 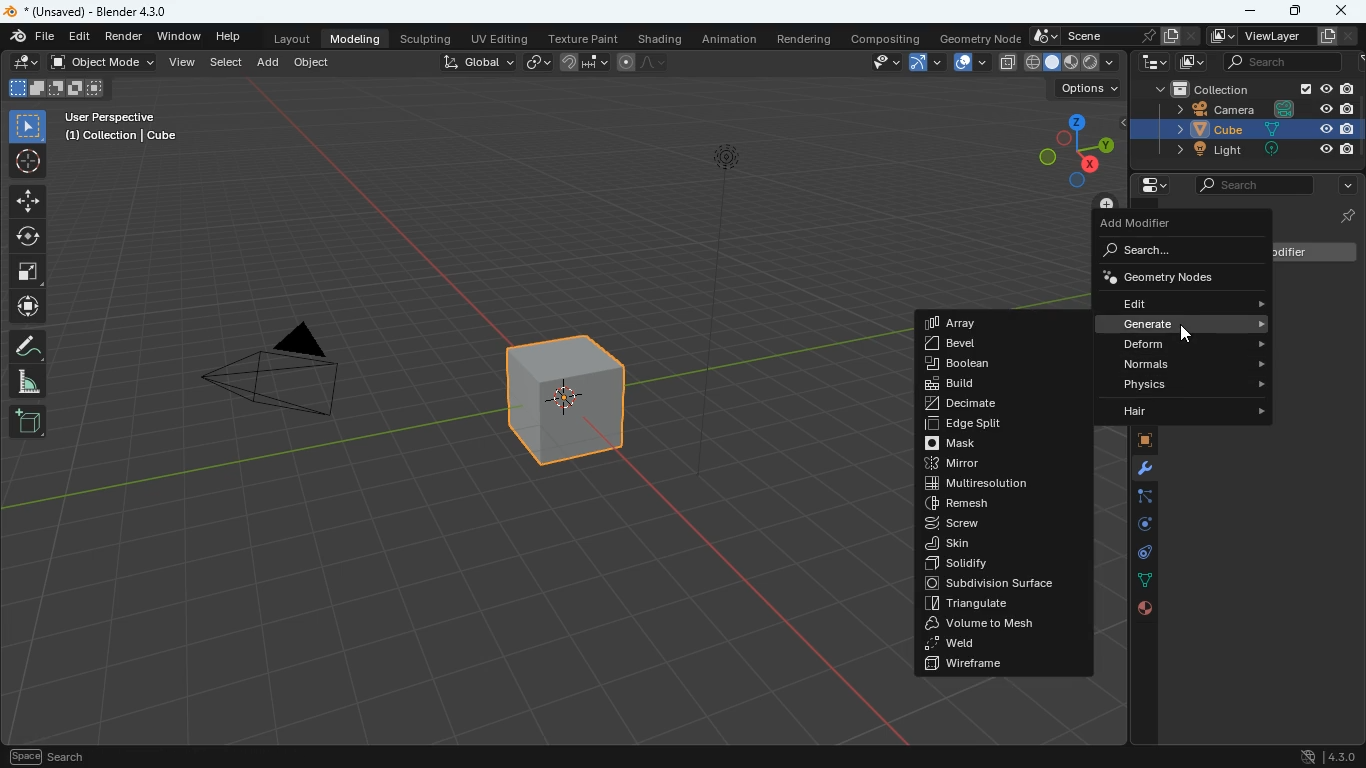 I want to click on collection, so click(x=1248, y=88).